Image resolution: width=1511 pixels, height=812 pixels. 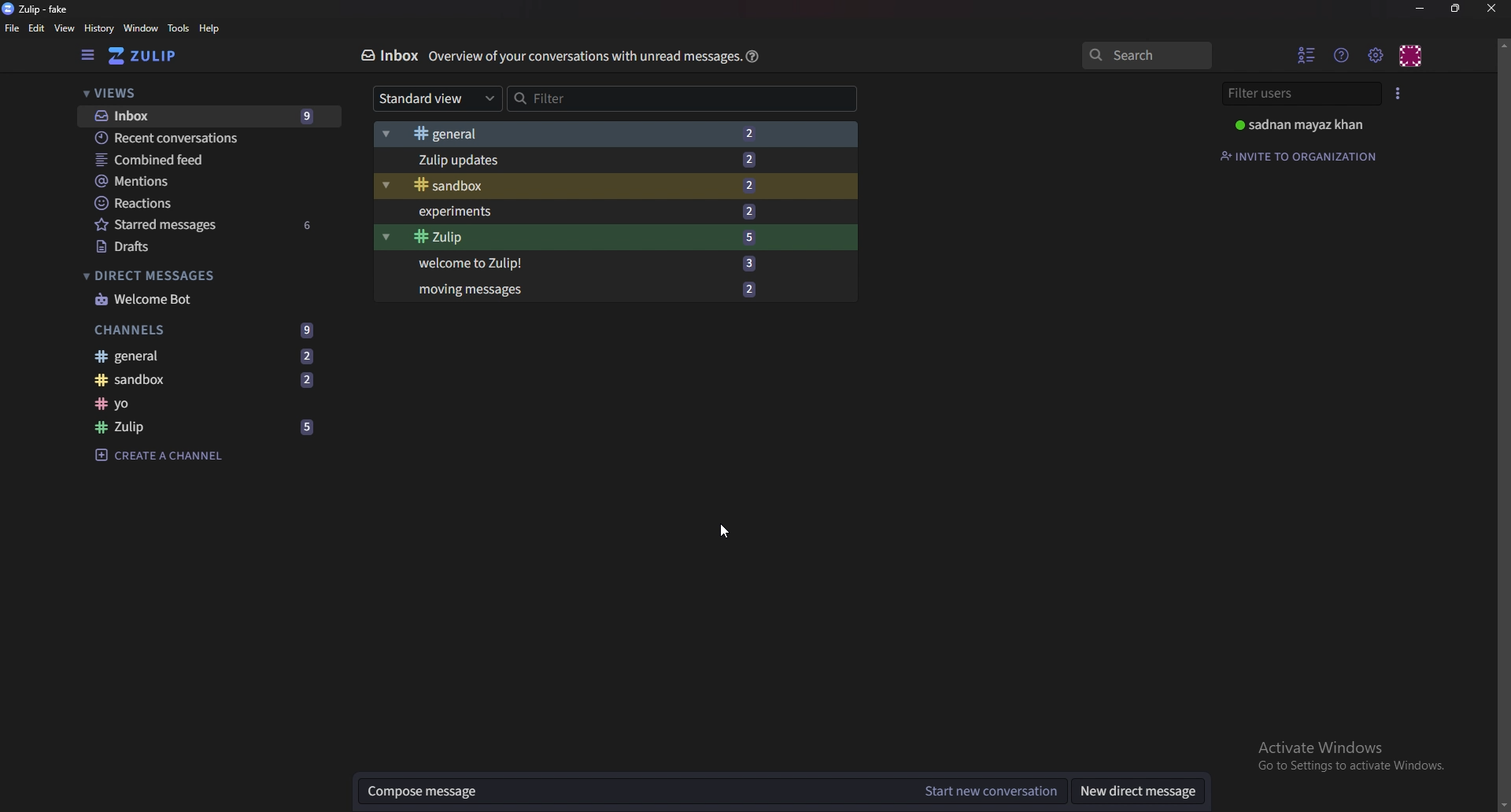 What do you see at coordinates (36, 29) in the screenshot?
I see `Edit` at bounding box center [36, 29].